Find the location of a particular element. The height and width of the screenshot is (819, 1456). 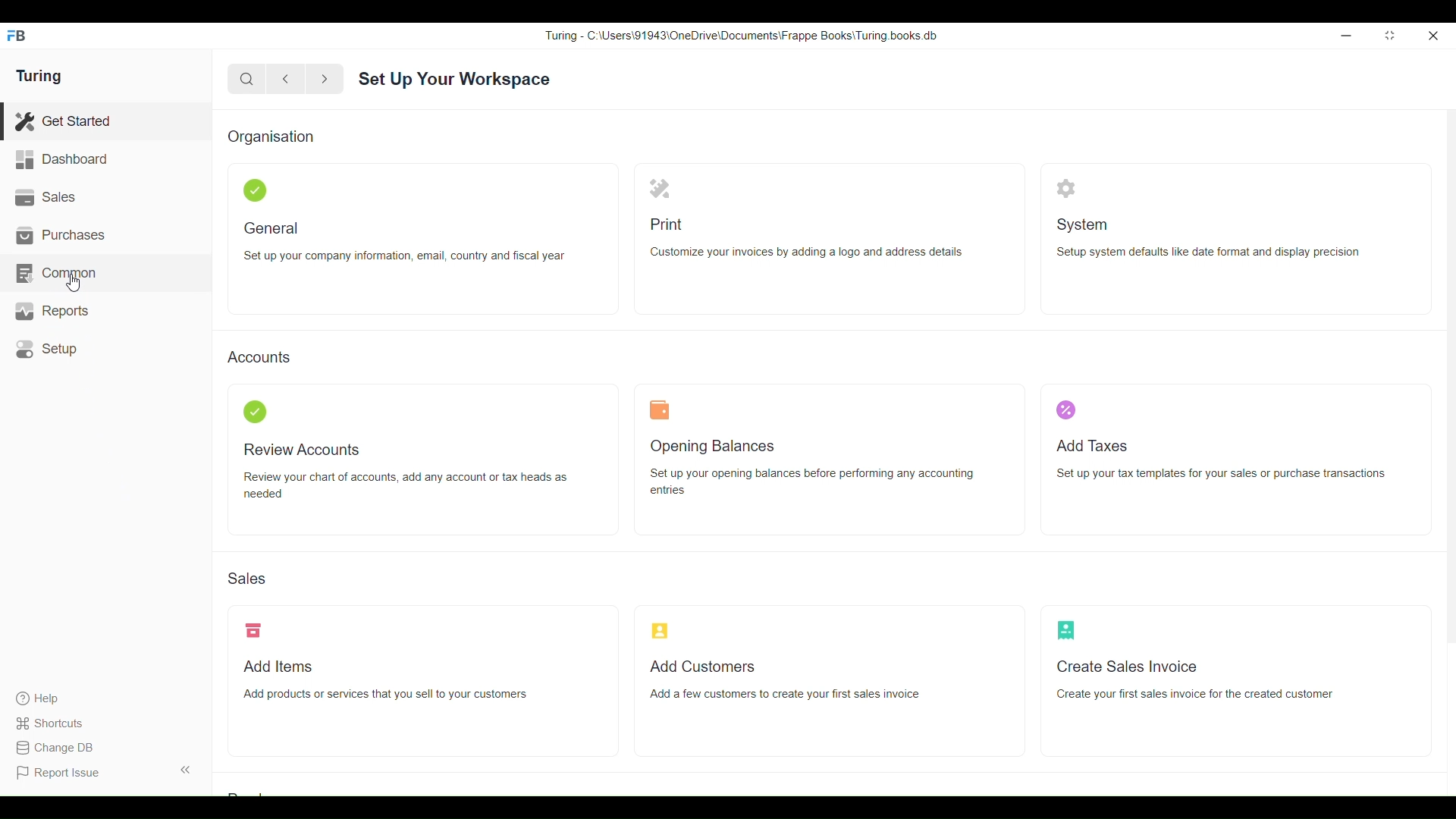

Print Customize your invoices by adding a logo and address details is located at coordinates (805, 239).